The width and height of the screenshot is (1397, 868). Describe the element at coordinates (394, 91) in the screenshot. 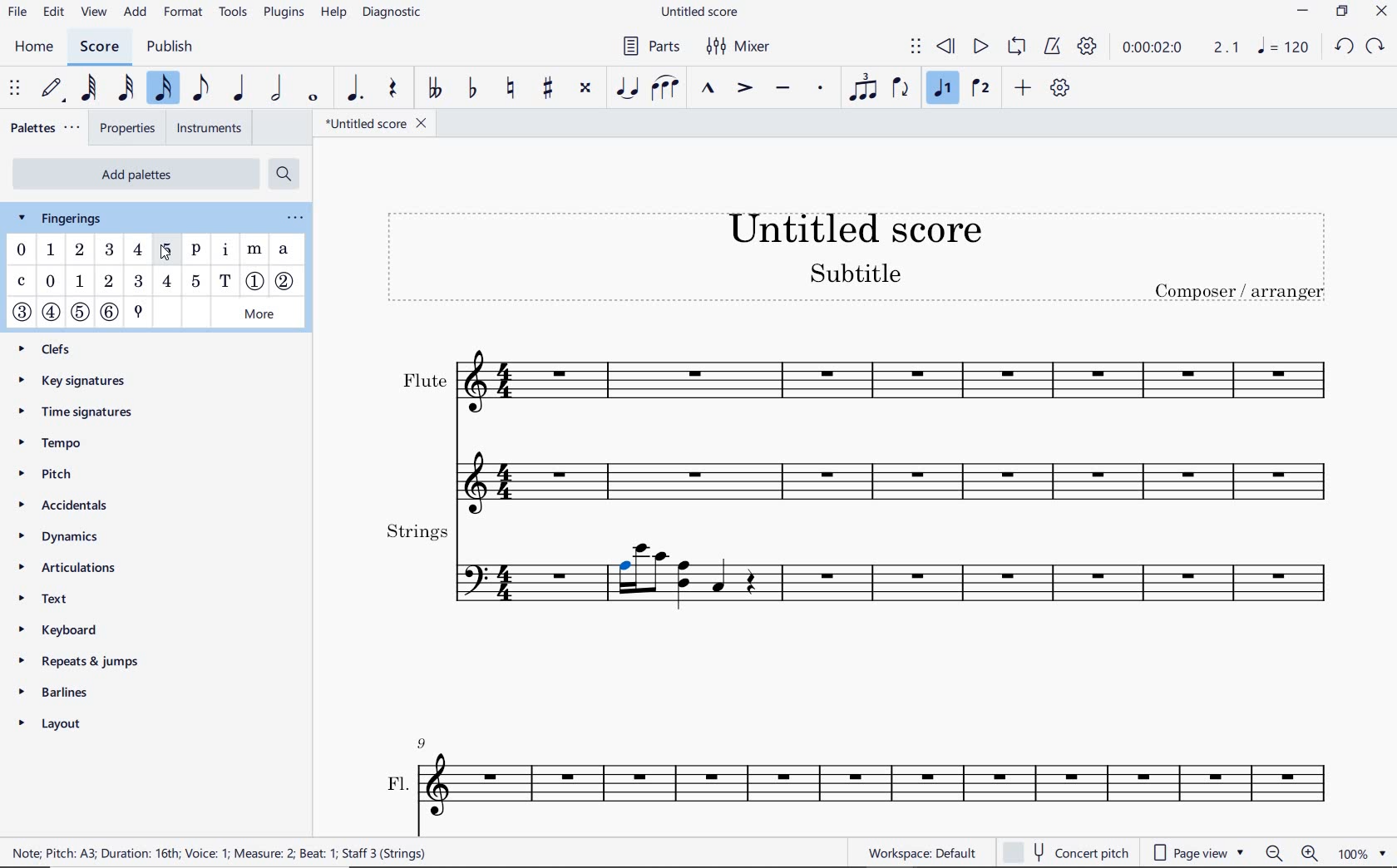

I see `rest` at that location.